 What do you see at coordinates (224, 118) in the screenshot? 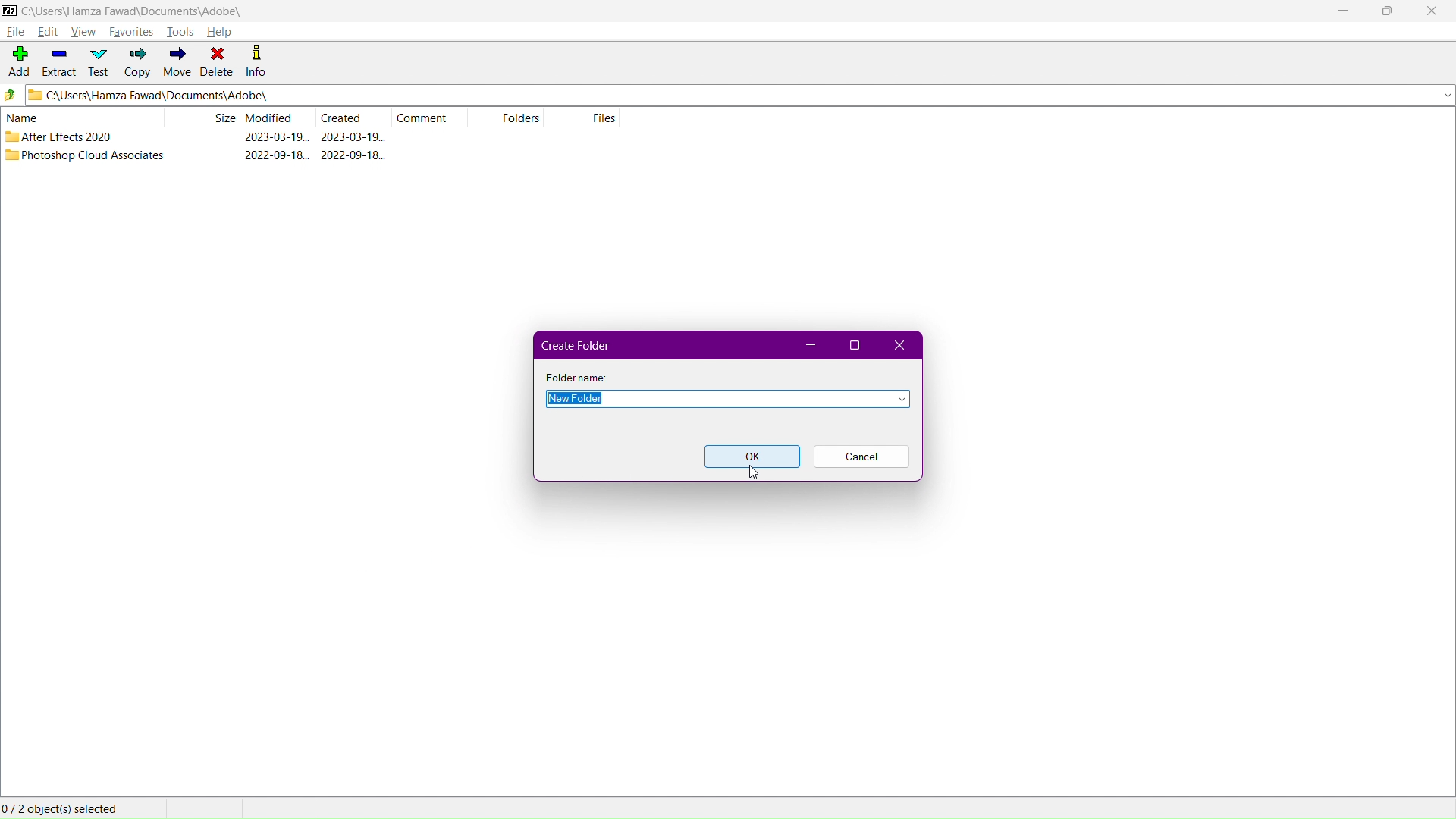
I see `Size` at bounding box center [224, 118].